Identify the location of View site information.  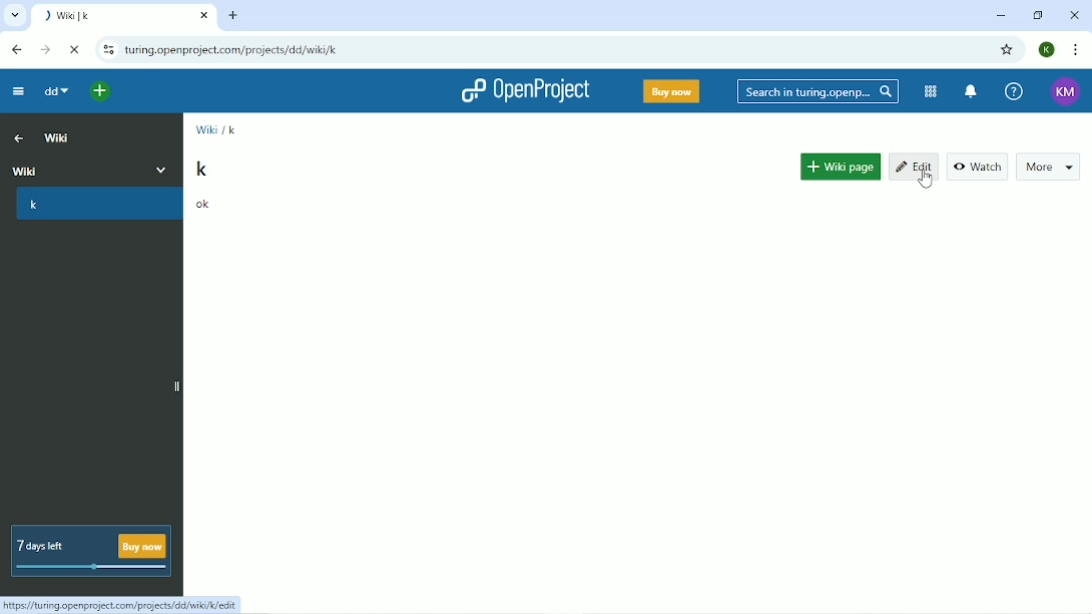
(106, 50).